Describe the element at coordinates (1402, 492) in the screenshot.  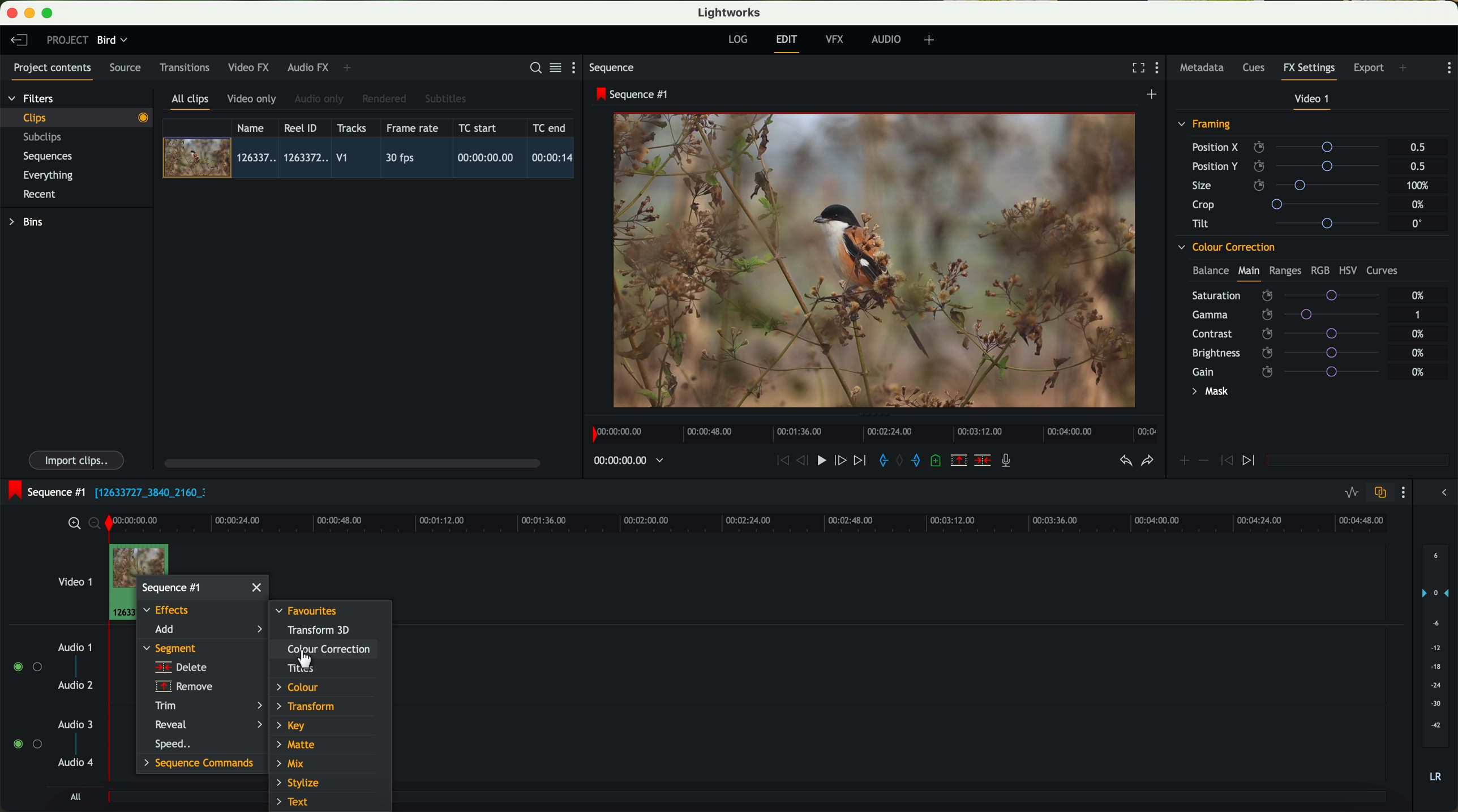
I see `show settings menu` at that location.